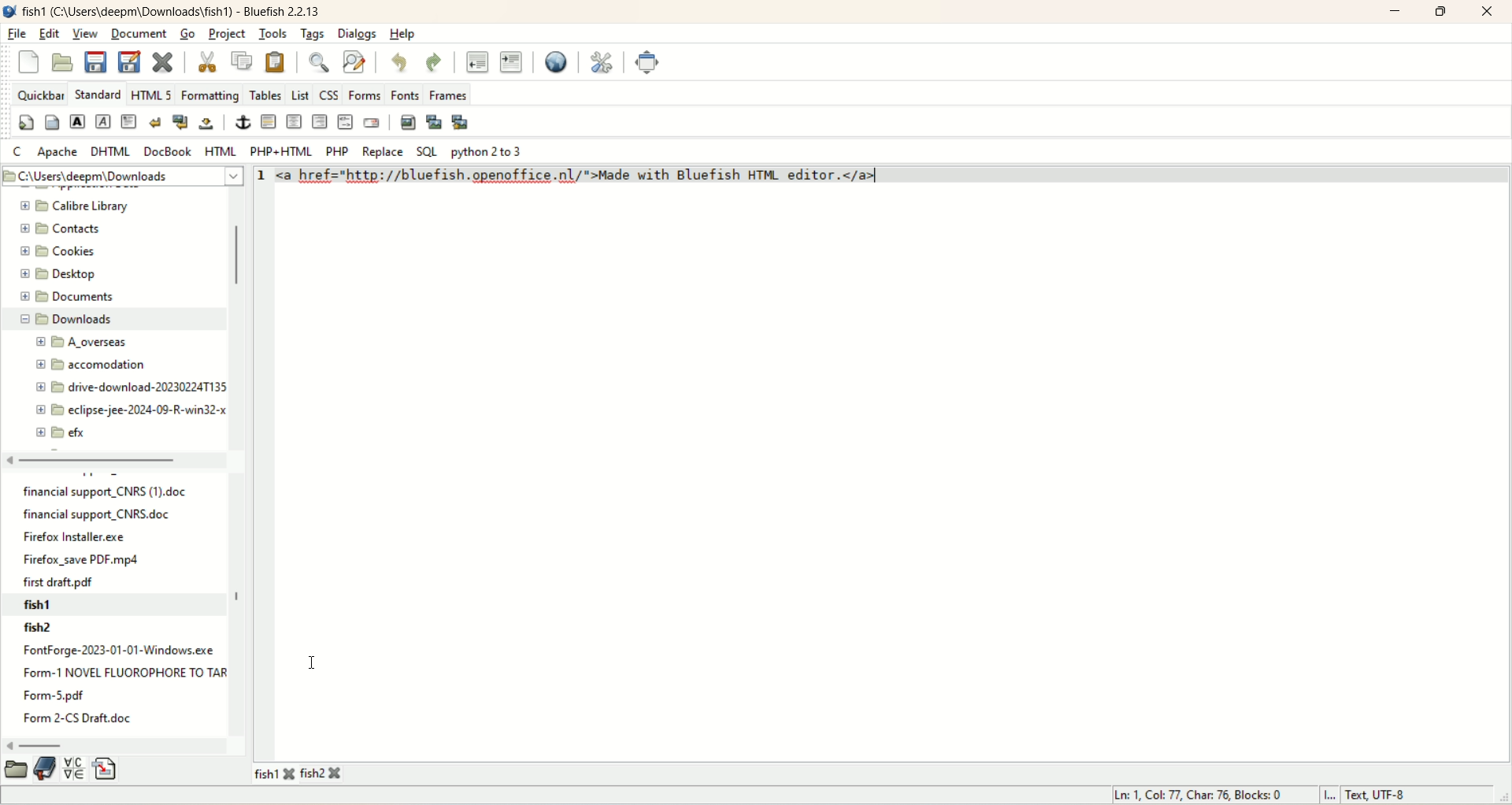 Image resolution: width=1512 pixels, height=805 pixels. What do you see at coordinates (95, 61) in the screenshot?
I see `save current file` at bounding box center [95, 61].